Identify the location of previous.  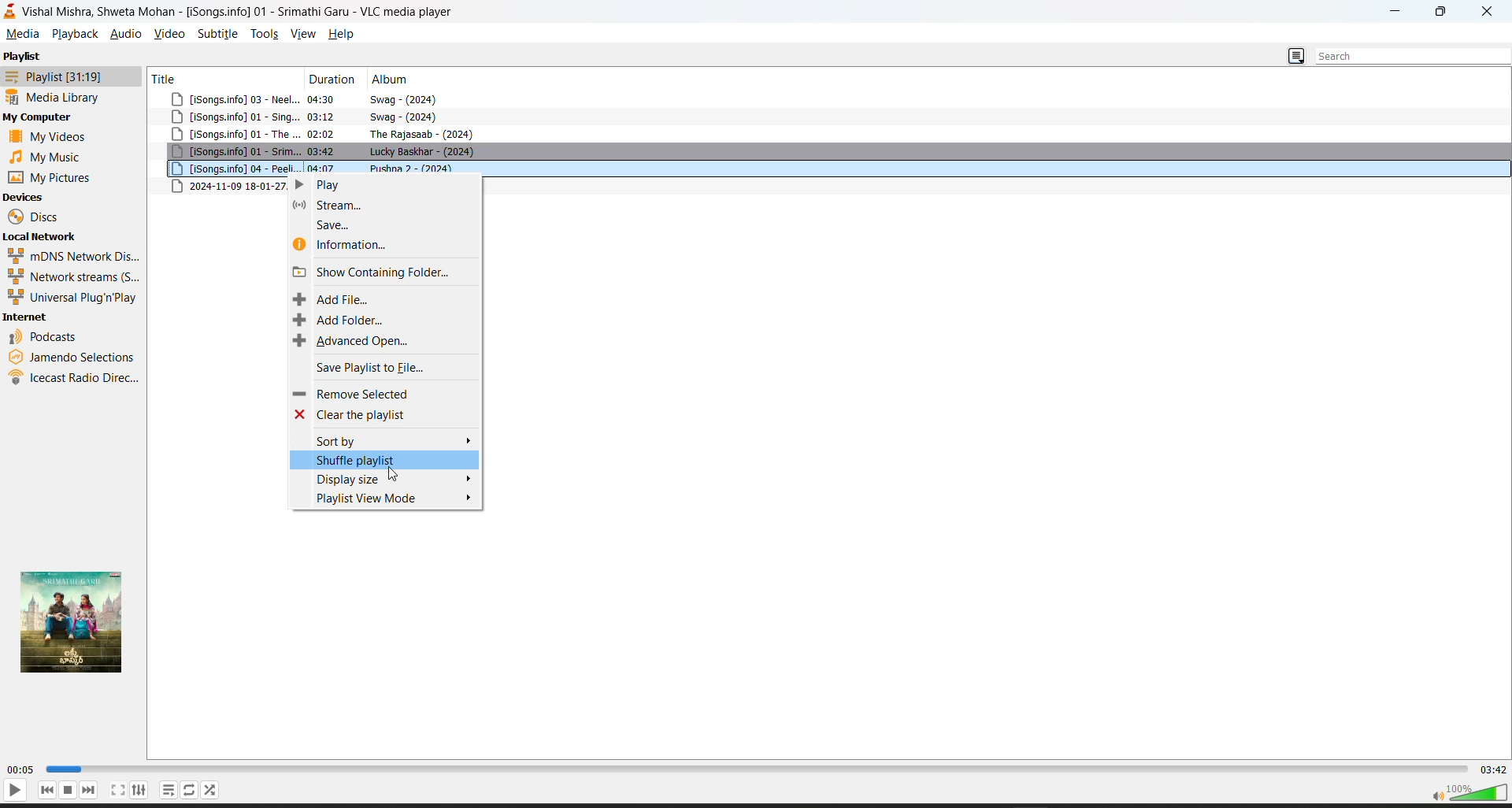
(47, 791).